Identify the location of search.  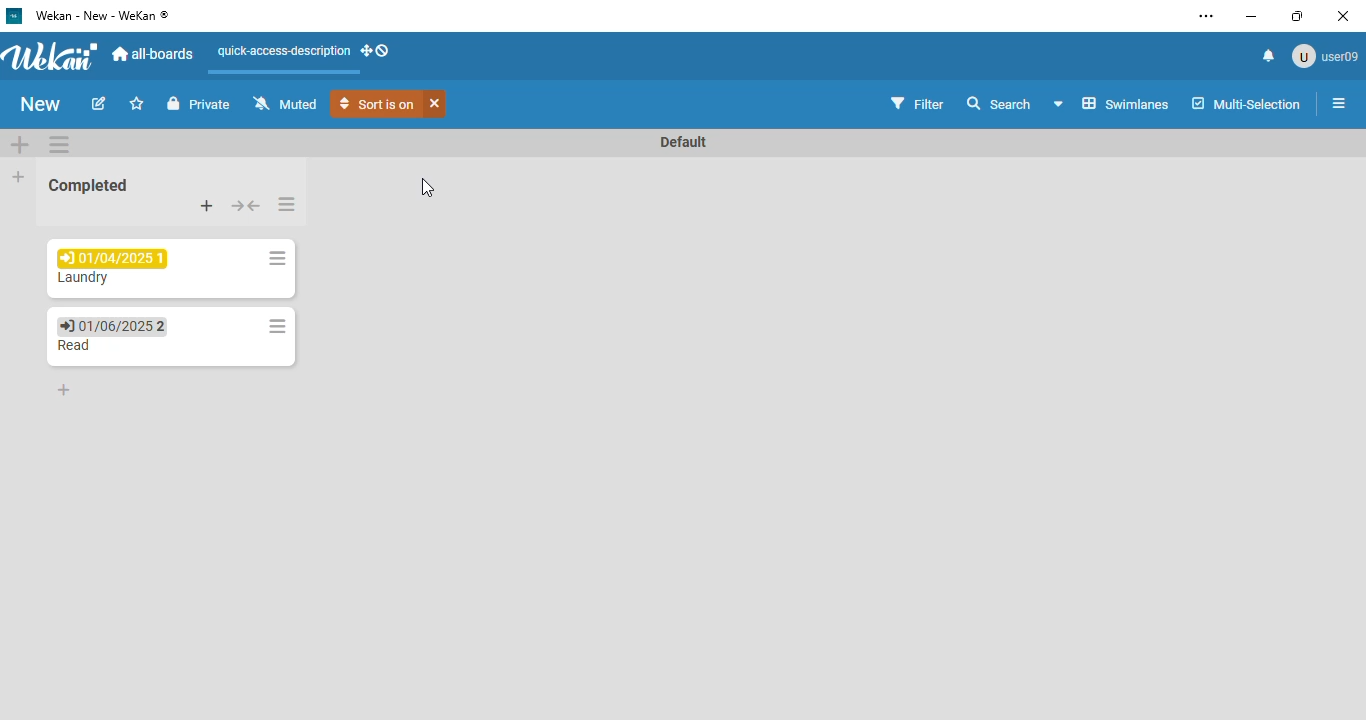
(998, 102).